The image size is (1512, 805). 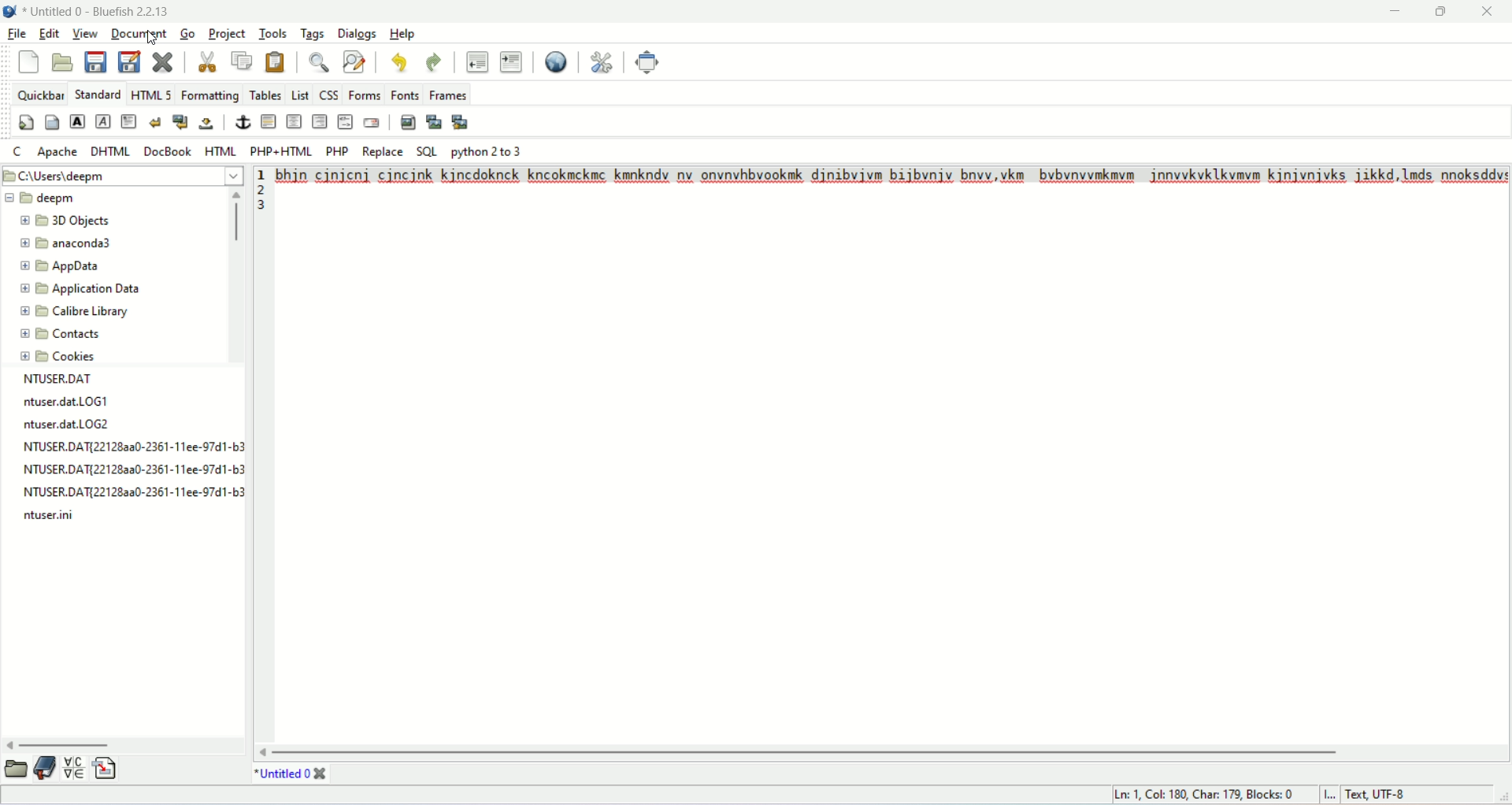 I want to click on vertical scroll bar, so click(x=232, y=276).